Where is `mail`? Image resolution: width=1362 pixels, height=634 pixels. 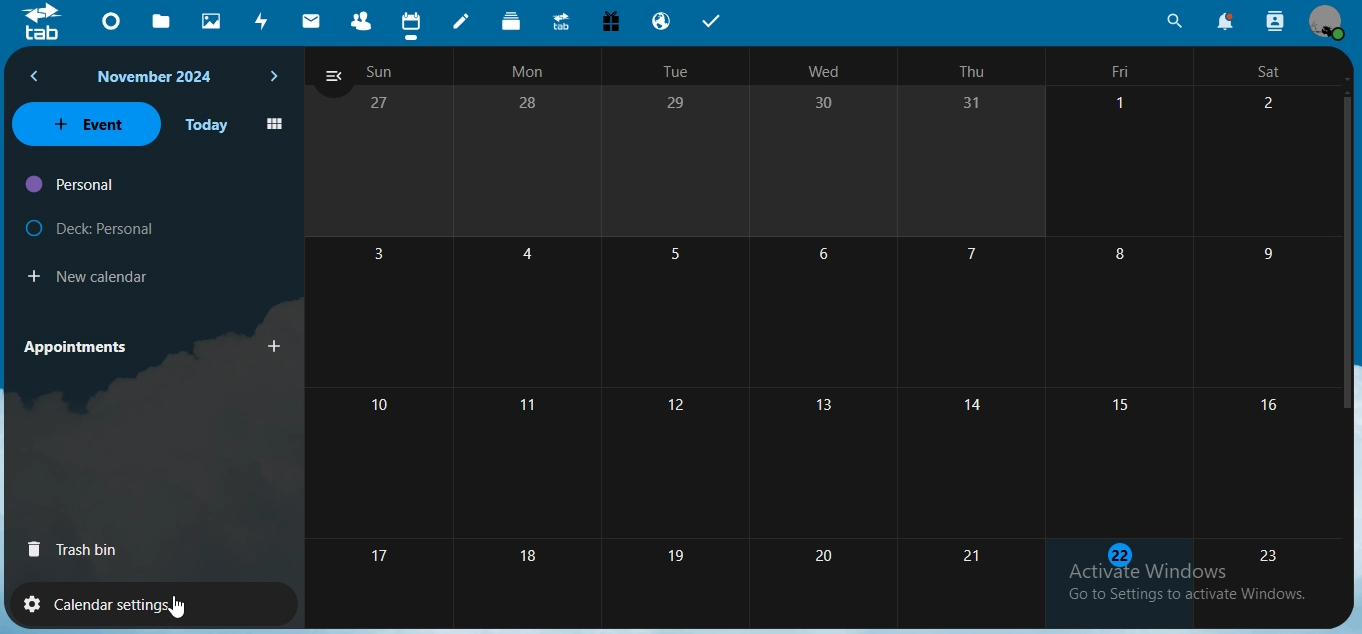 mail is located at coordinates (314, 19).